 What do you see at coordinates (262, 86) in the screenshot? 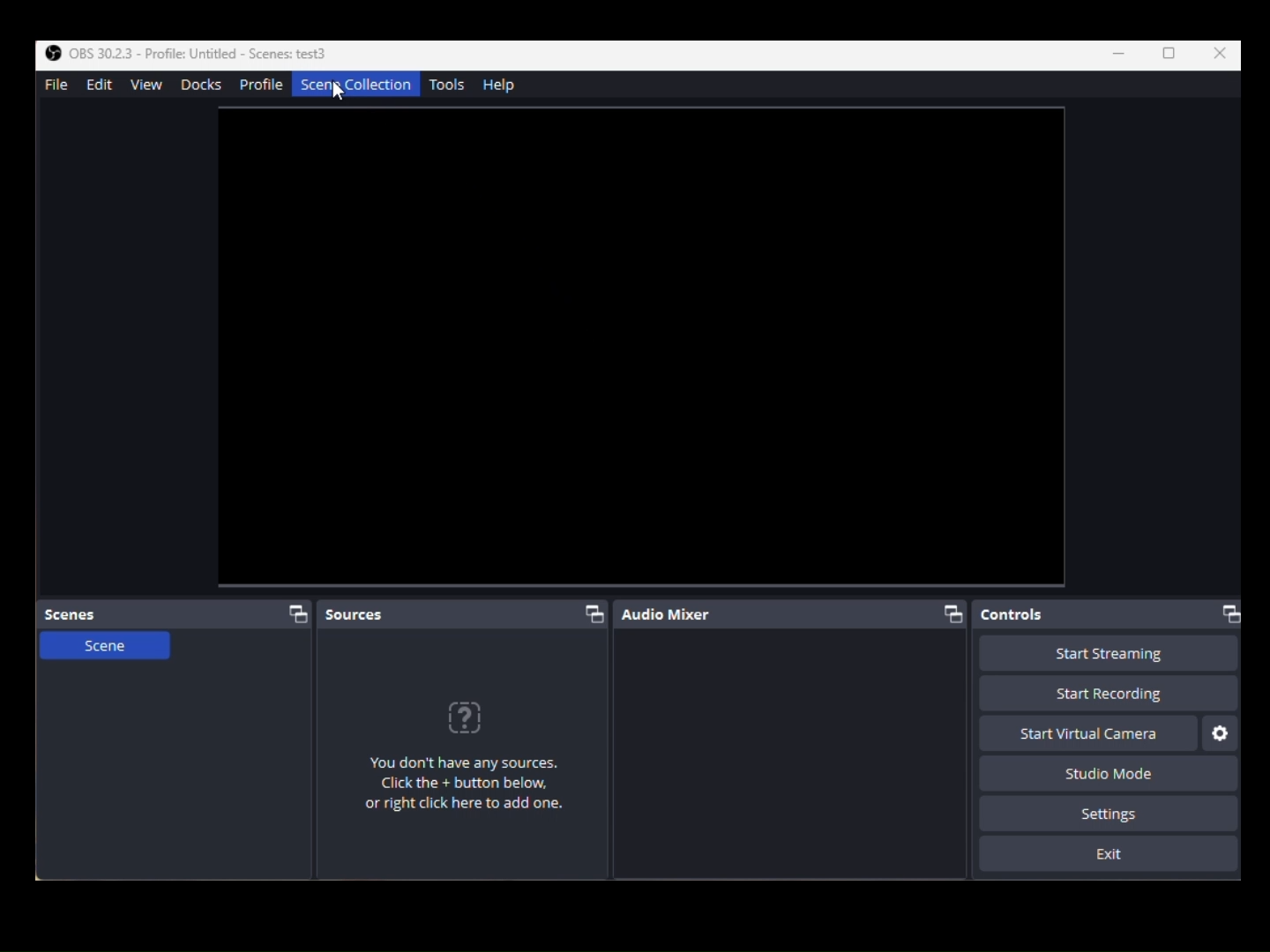
I see `Profile` at bounding box center [262, 86].